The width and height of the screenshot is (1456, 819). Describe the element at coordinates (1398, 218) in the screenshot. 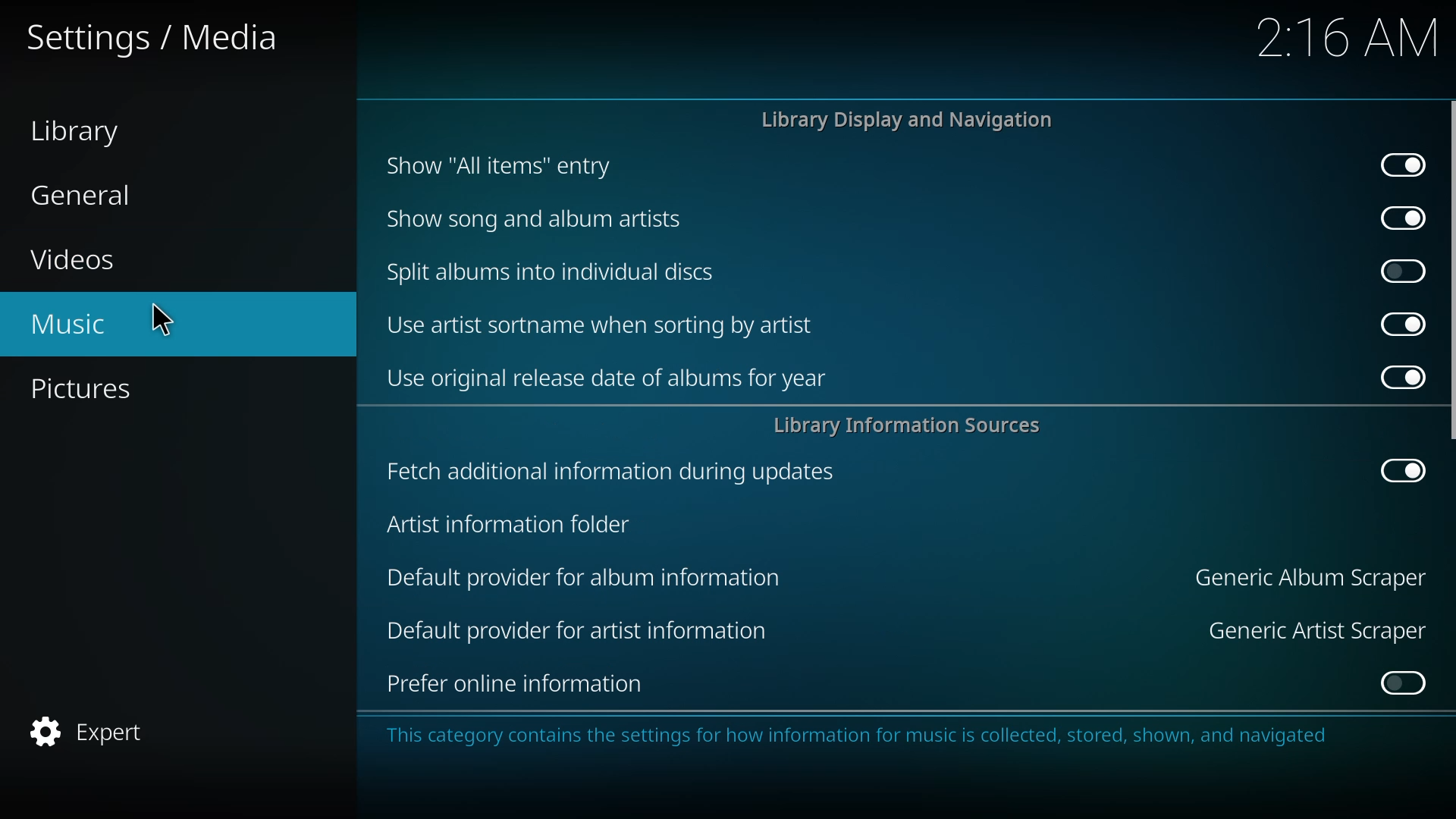

I see `enabled` at that location.